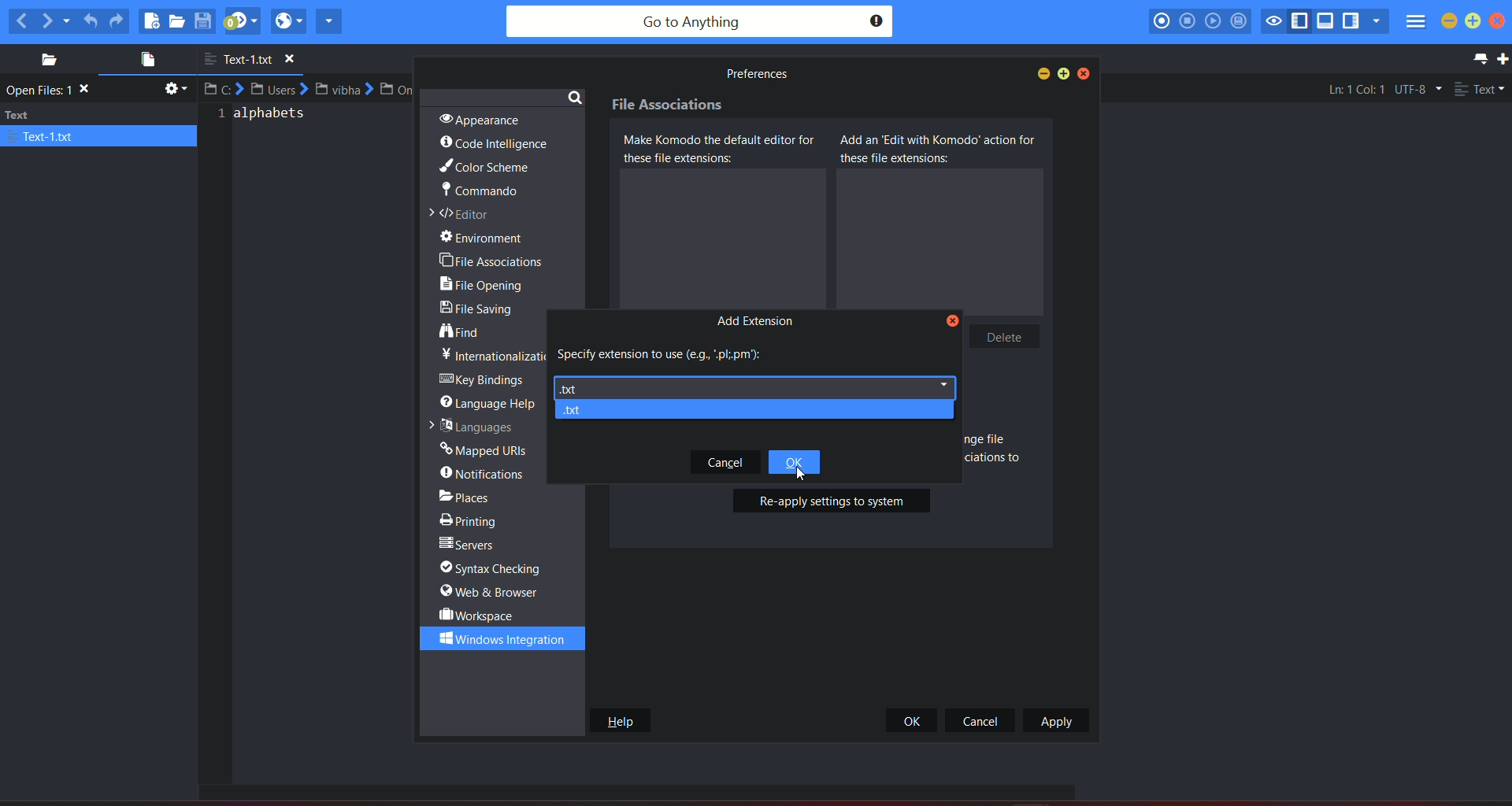  What do you see at coordinates (20, 20) in the screenshot?
I see `previous` at bounding box center [20, 20].